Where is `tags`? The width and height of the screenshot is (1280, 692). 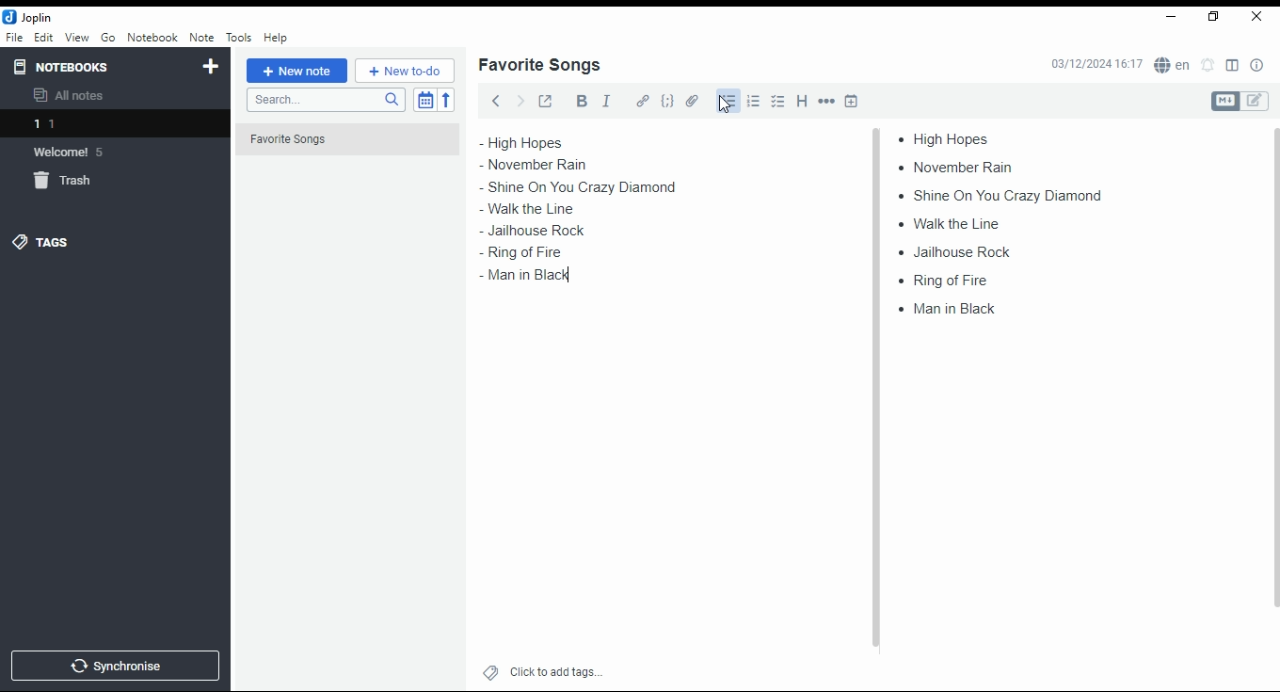 tags is located at coordinates (41, 241).